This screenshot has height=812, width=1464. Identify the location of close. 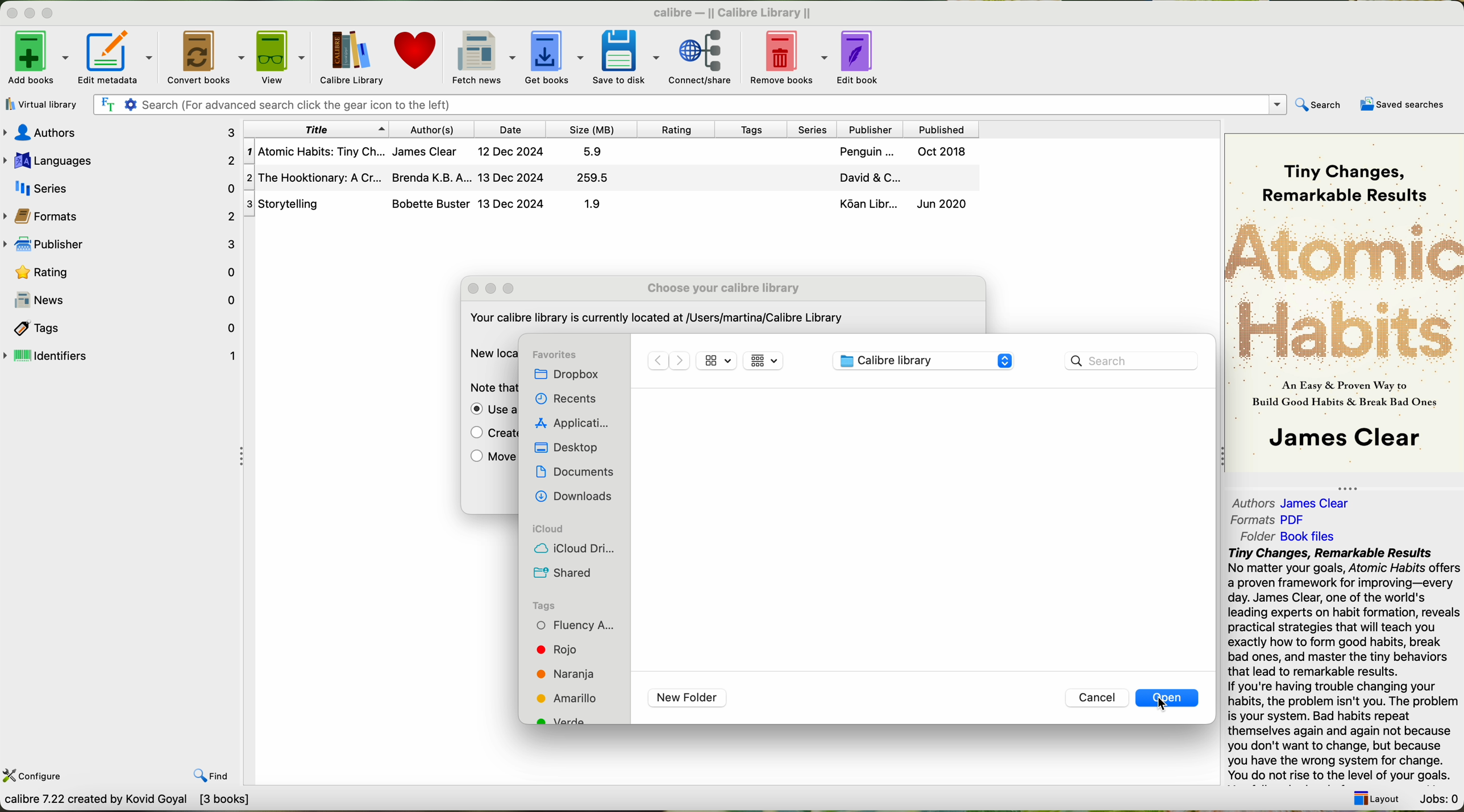
(472, 289).